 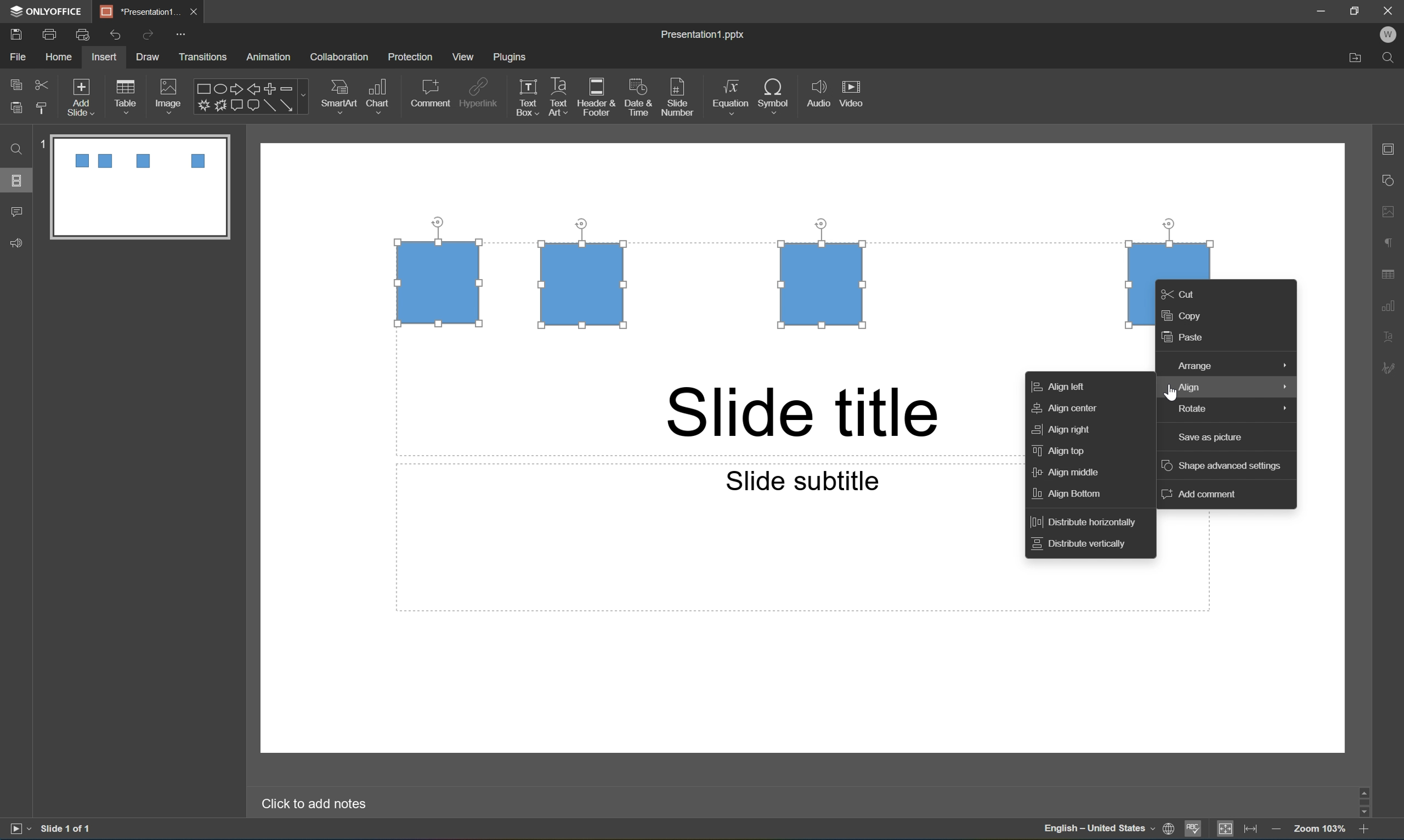 I want to click on spell checking, so click(x=1195, y=830).